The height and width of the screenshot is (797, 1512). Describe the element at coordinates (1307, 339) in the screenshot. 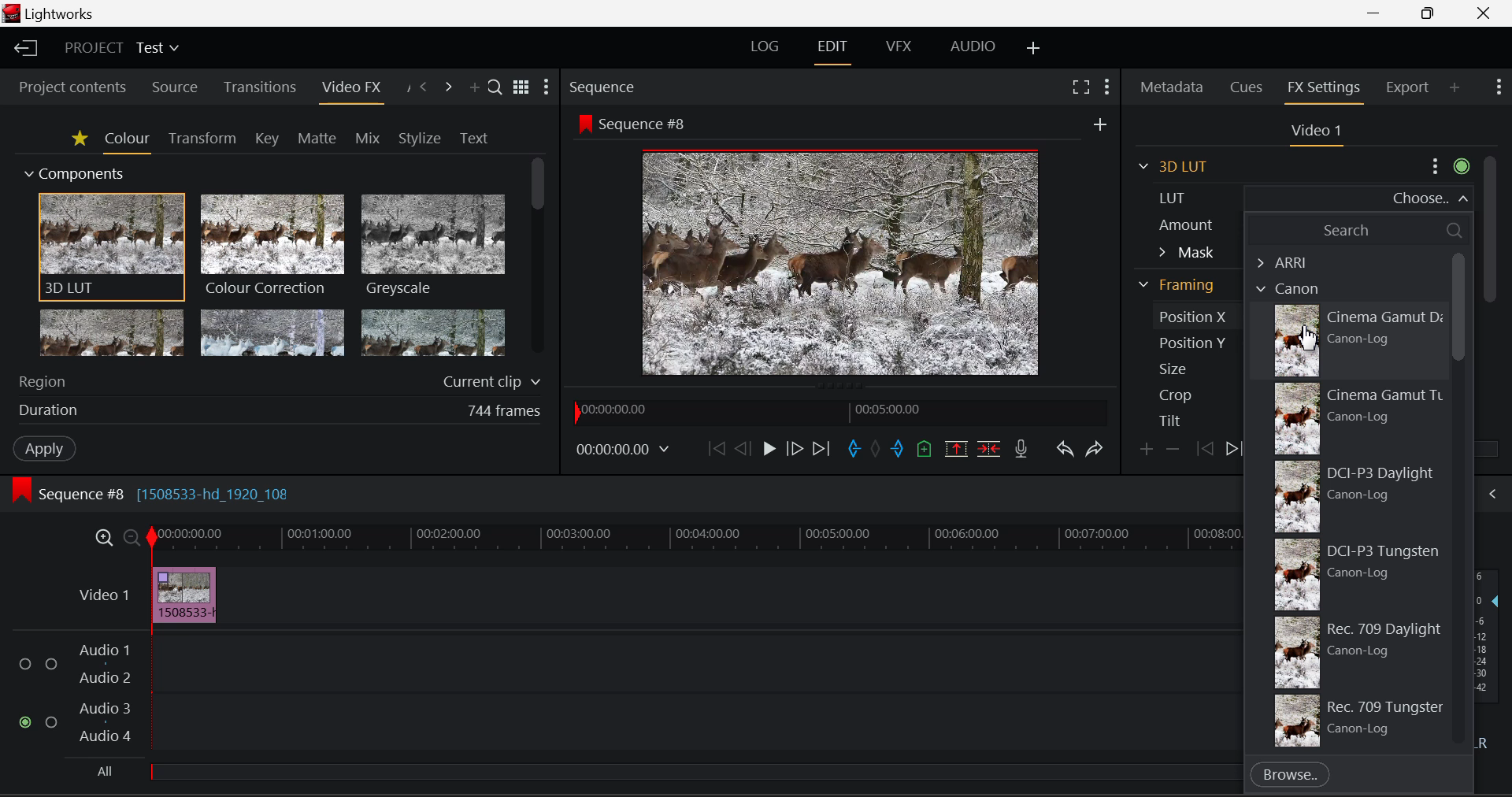

I see `Cursor Position` at that location.